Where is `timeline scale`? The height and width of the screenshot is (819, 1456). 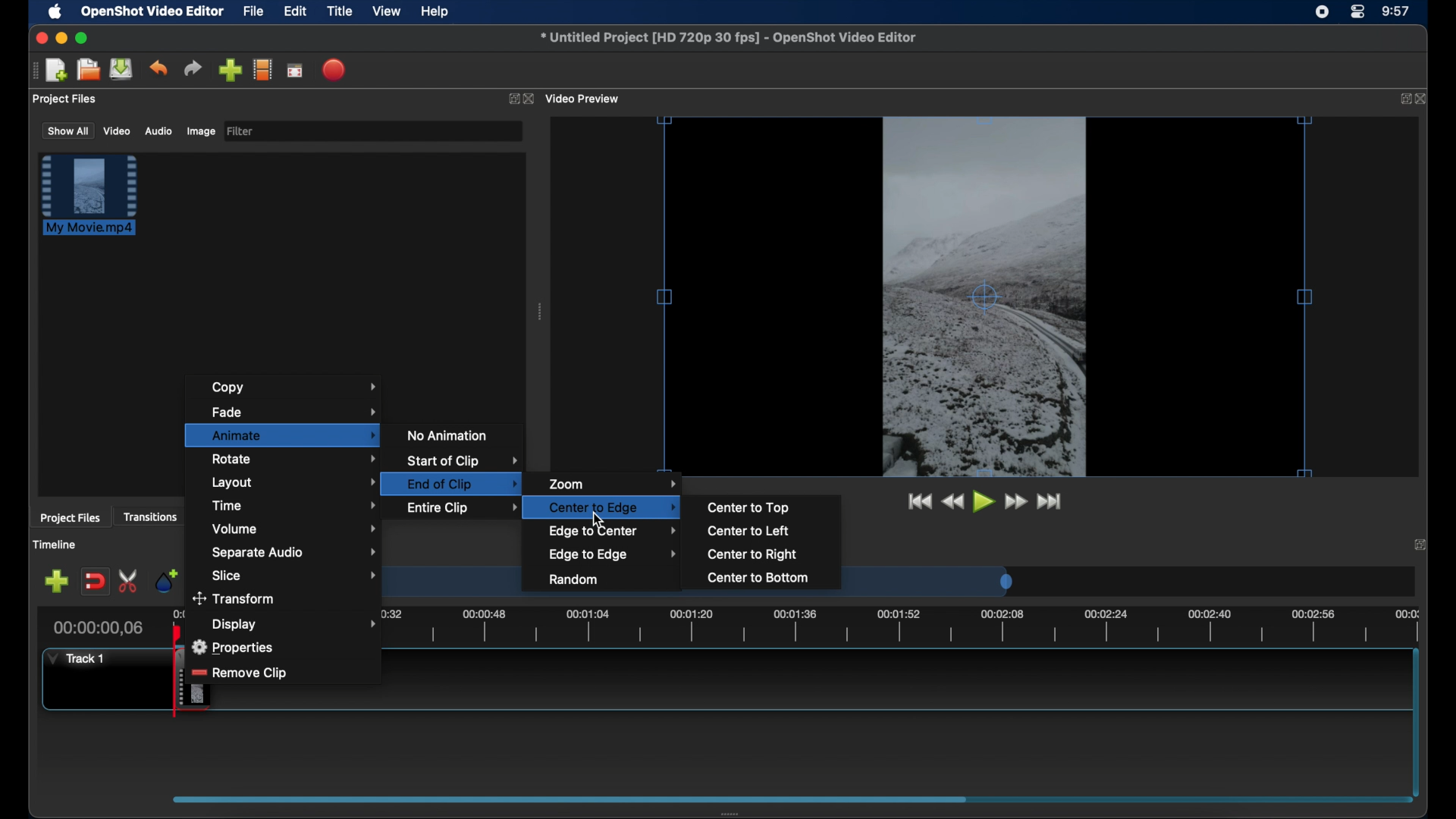
timeline scale is located at coordinates (939, 581).